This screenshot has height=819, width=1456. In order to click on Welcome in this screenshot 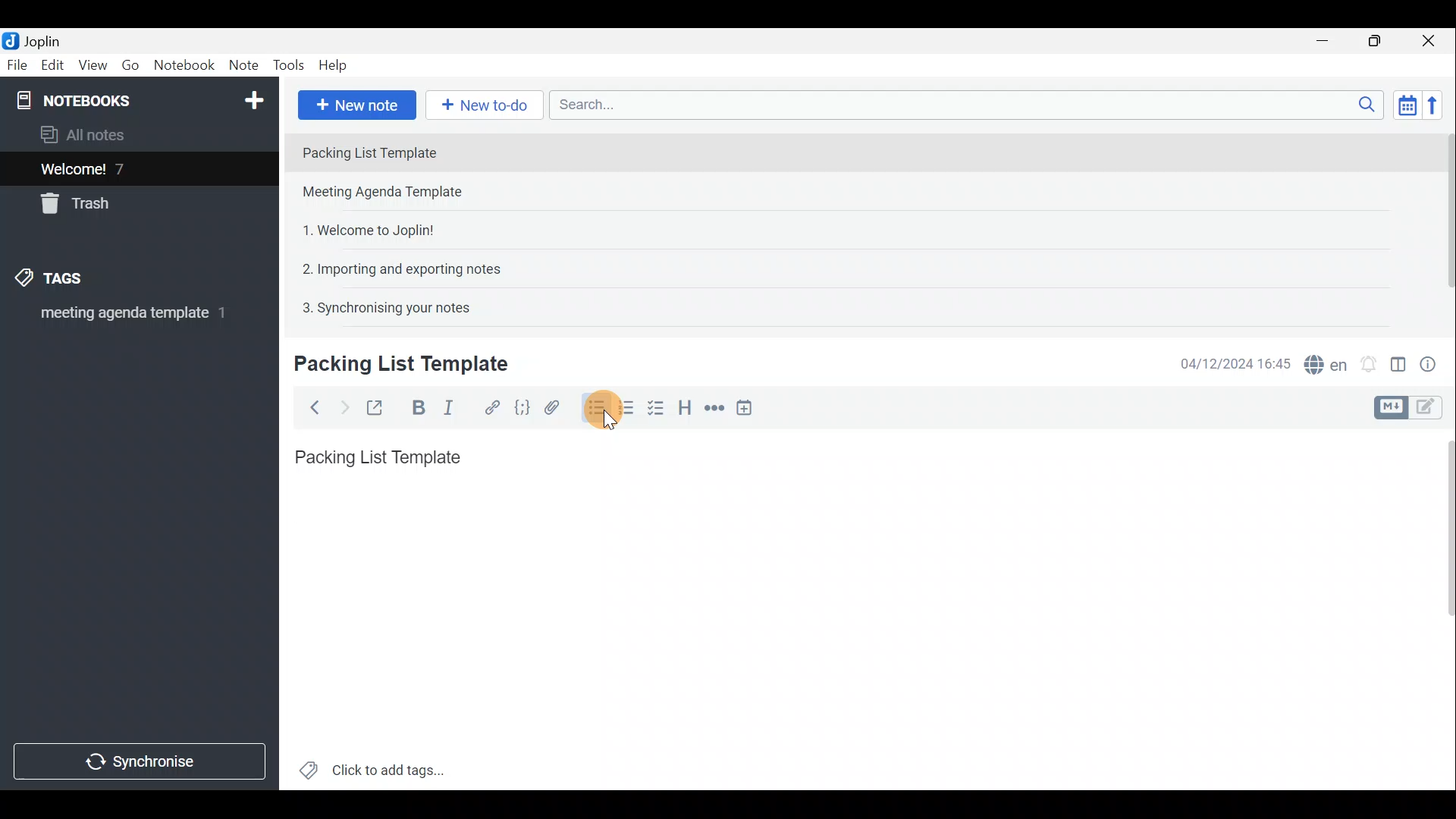, I will do `click(116, 168)`.